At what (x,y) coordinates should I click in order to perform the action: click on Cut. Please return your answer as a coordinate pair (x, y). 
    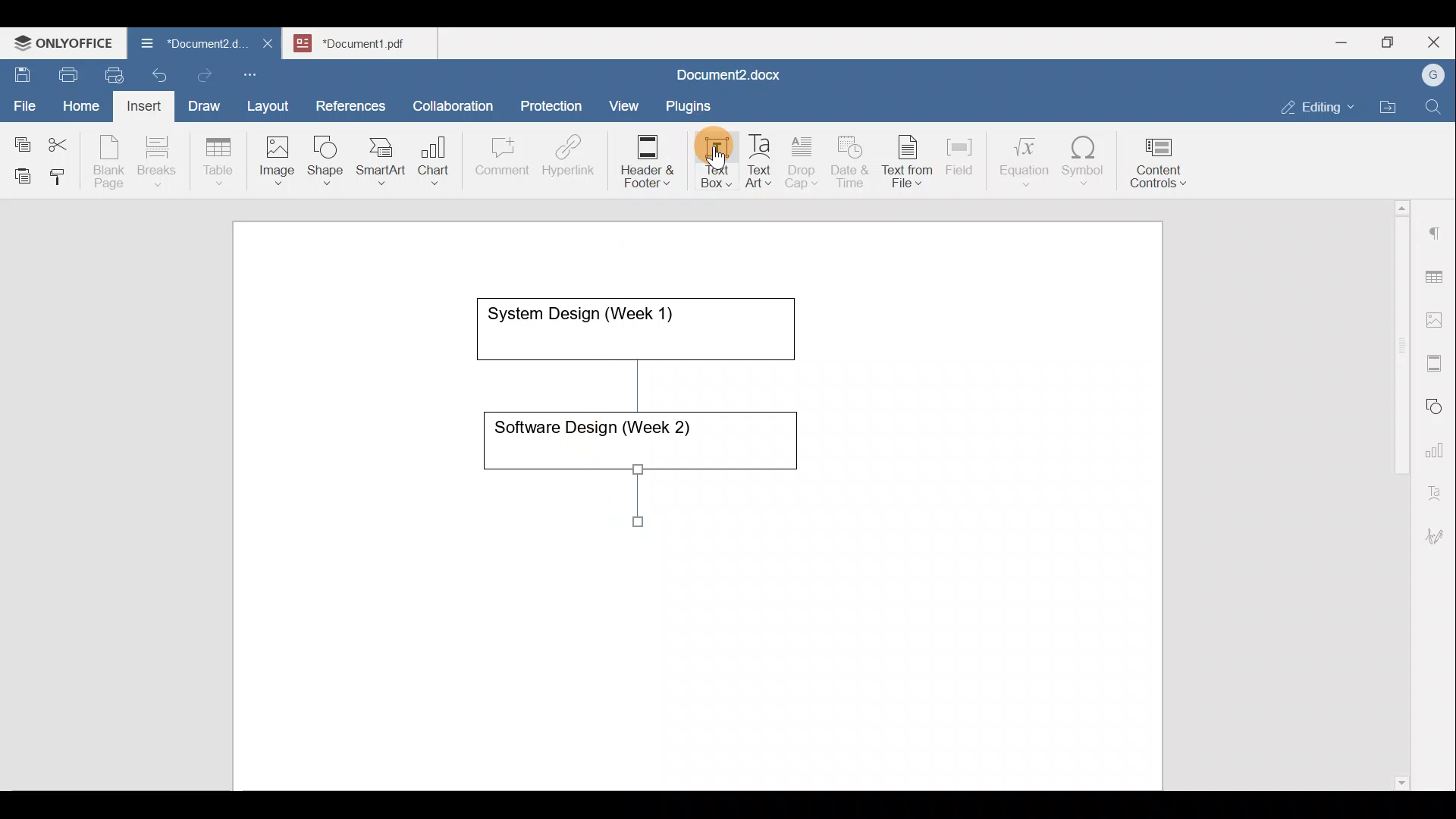
    Looking at the image, I should click on (64, 141).